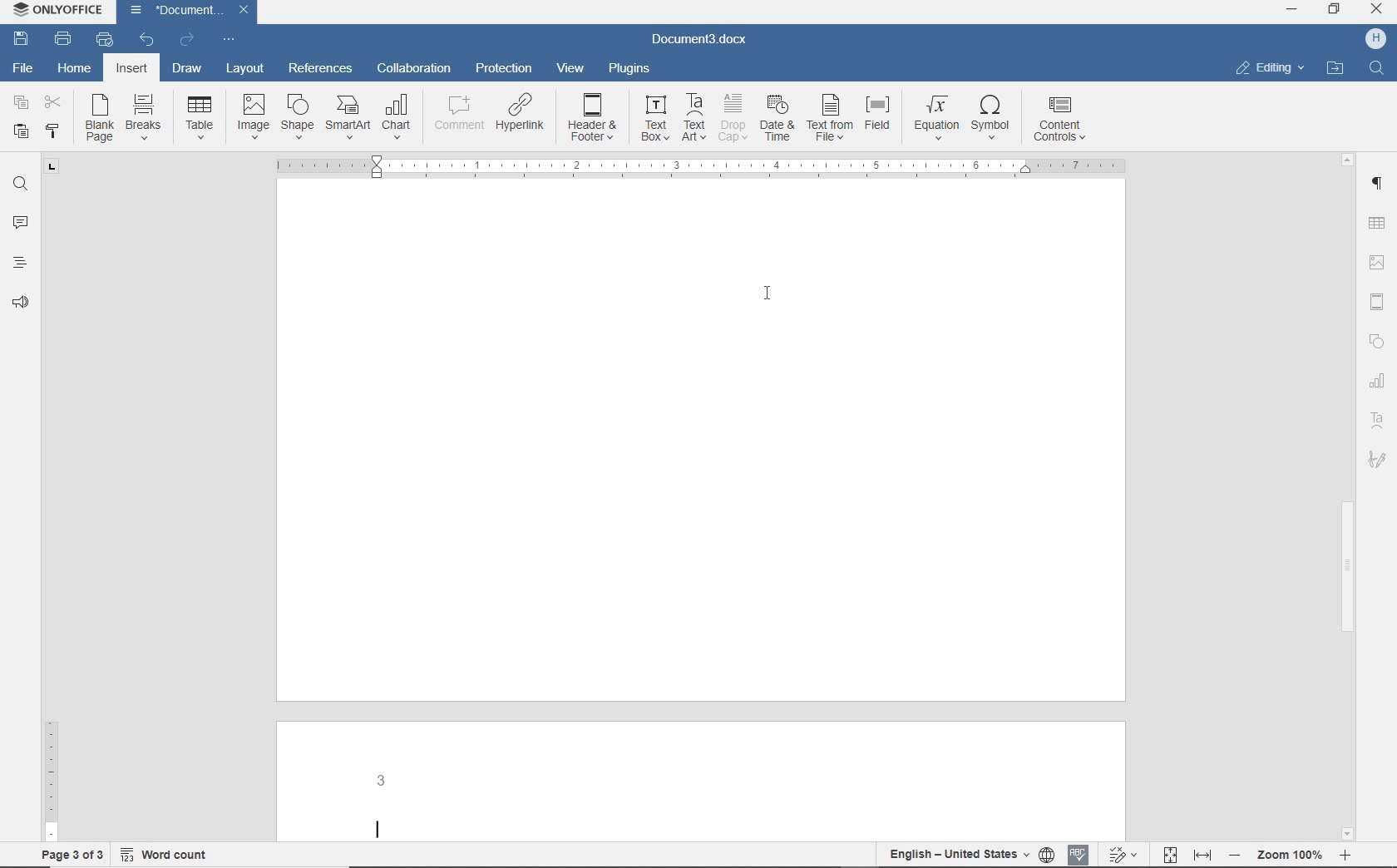 The image size is (1397, 868). Describe the element at coordinates (882, 118) in the screenshot. I see `FIELD` at that location.